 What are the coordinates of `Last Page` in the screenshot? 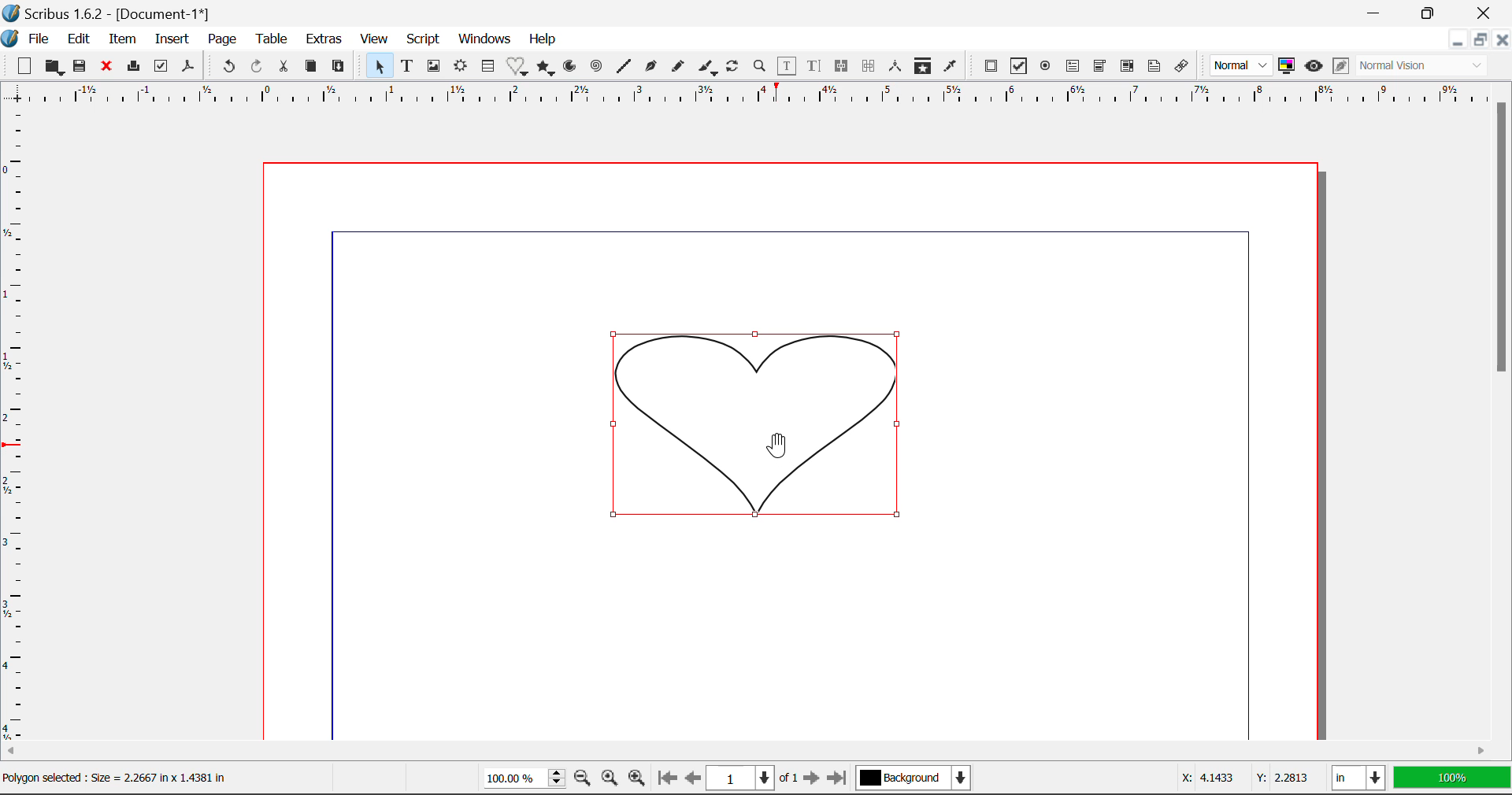 It's located at (839, 778).